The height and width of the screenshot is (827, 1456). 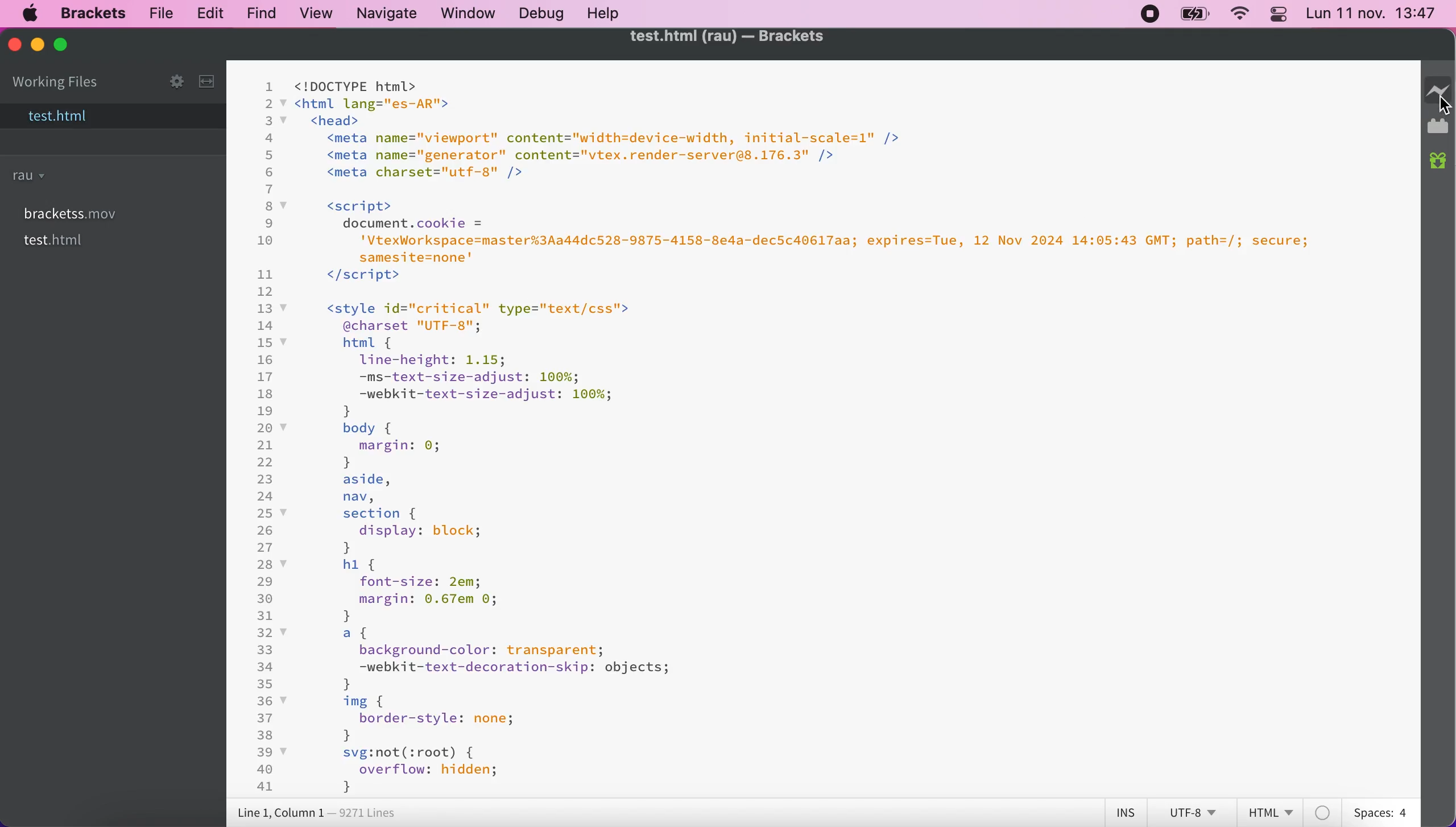 I want to click on html, so click(x=1271, y=812).